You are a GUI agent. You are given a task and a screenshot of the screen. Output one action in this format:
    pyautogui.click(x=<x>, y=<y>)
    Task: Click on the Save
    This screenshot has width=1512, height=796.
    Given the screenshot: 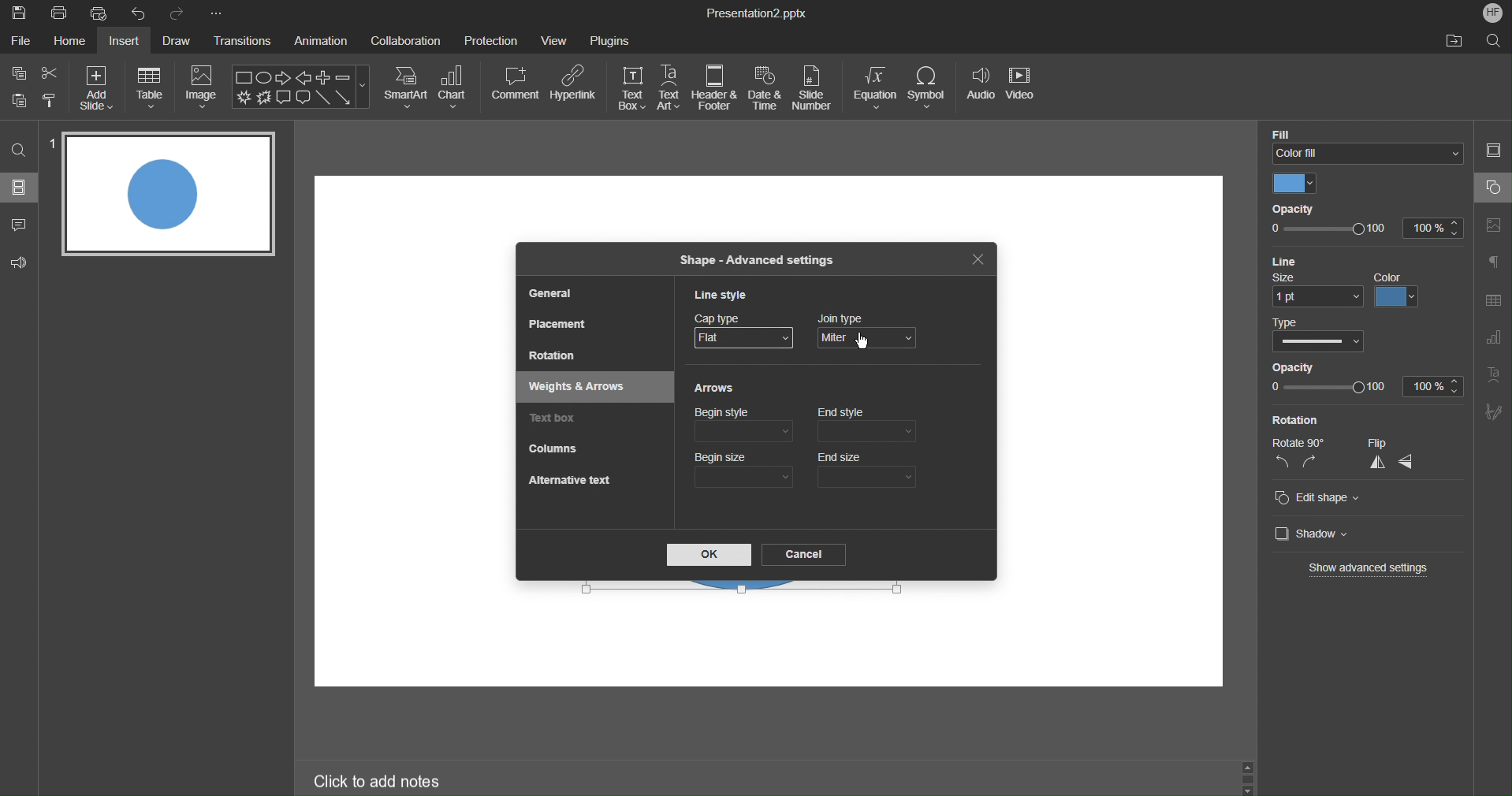 What is the action you would take?
    pyautogui.click(x=18, y=13)
    